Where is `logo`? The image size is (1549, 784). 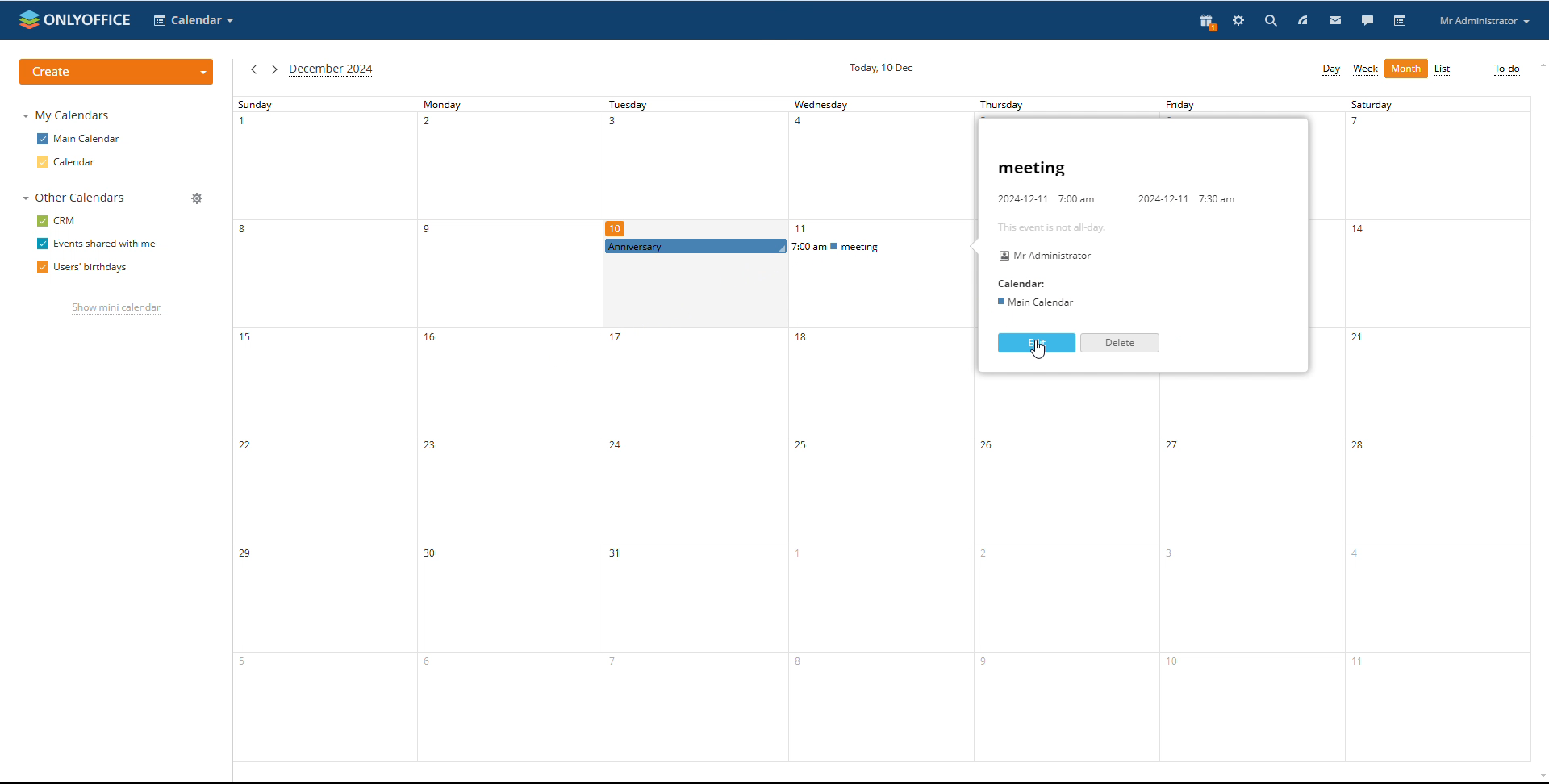 logo is located at coordinates (73, 19).